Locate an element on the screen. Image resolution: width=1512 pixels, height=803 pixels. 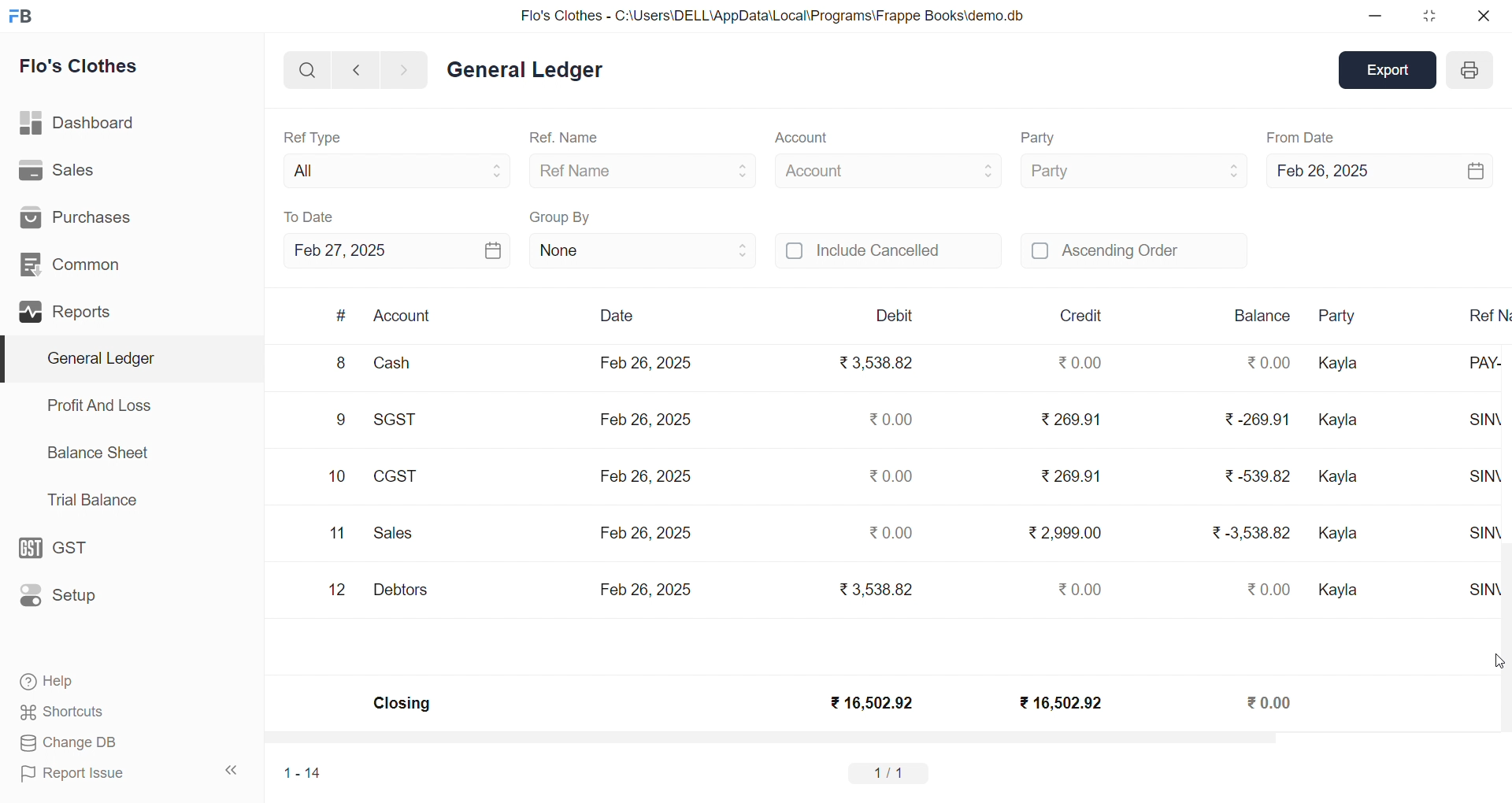
Change DB is located at coordinates (66, 742).